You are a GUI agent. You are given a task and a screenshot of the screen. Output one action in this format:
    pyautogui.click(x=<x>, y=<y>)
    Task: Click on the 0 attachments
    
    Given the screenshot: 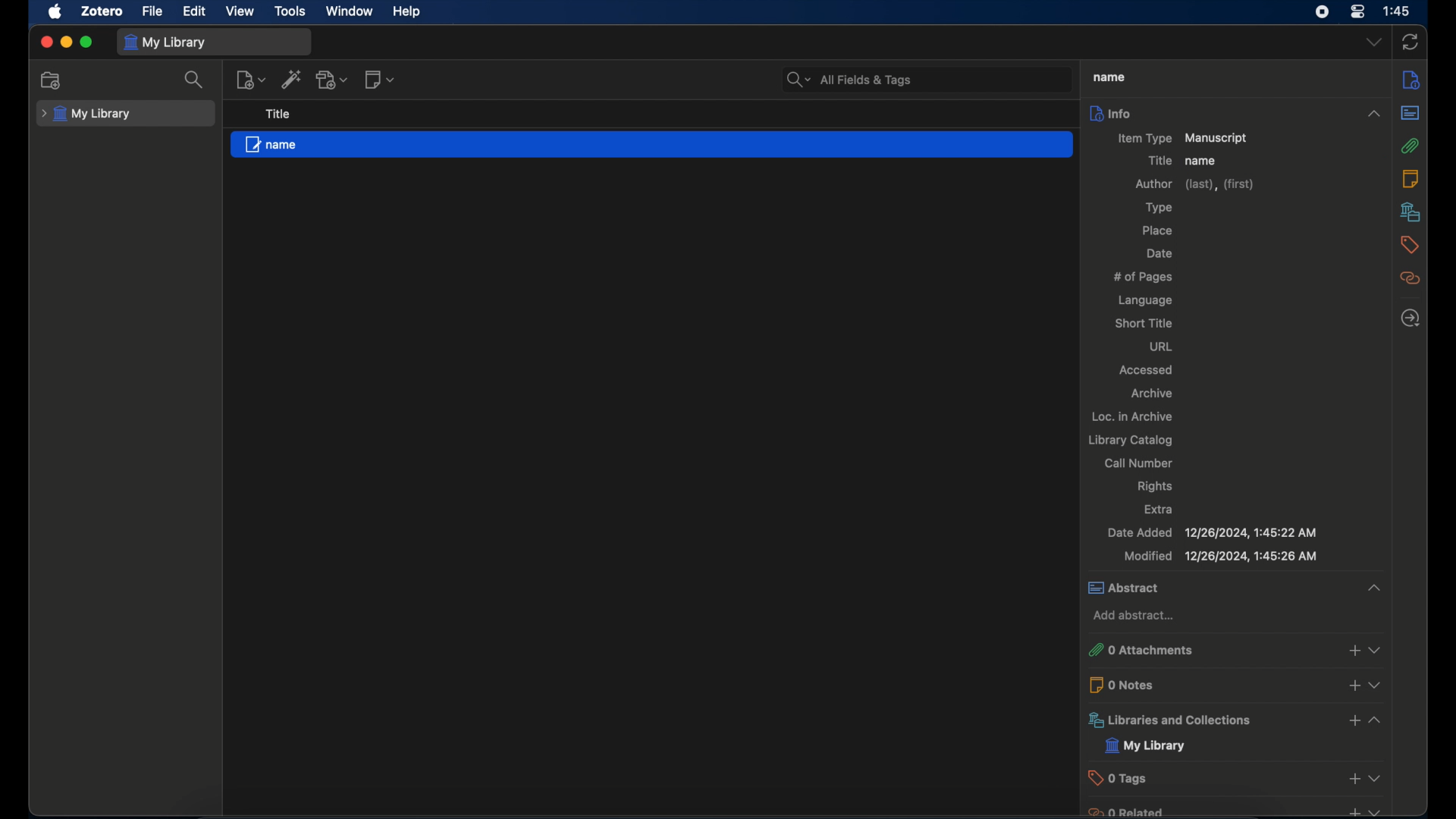 What is the action you would take?
    pyautogui.click(x=1233, y=650)
    